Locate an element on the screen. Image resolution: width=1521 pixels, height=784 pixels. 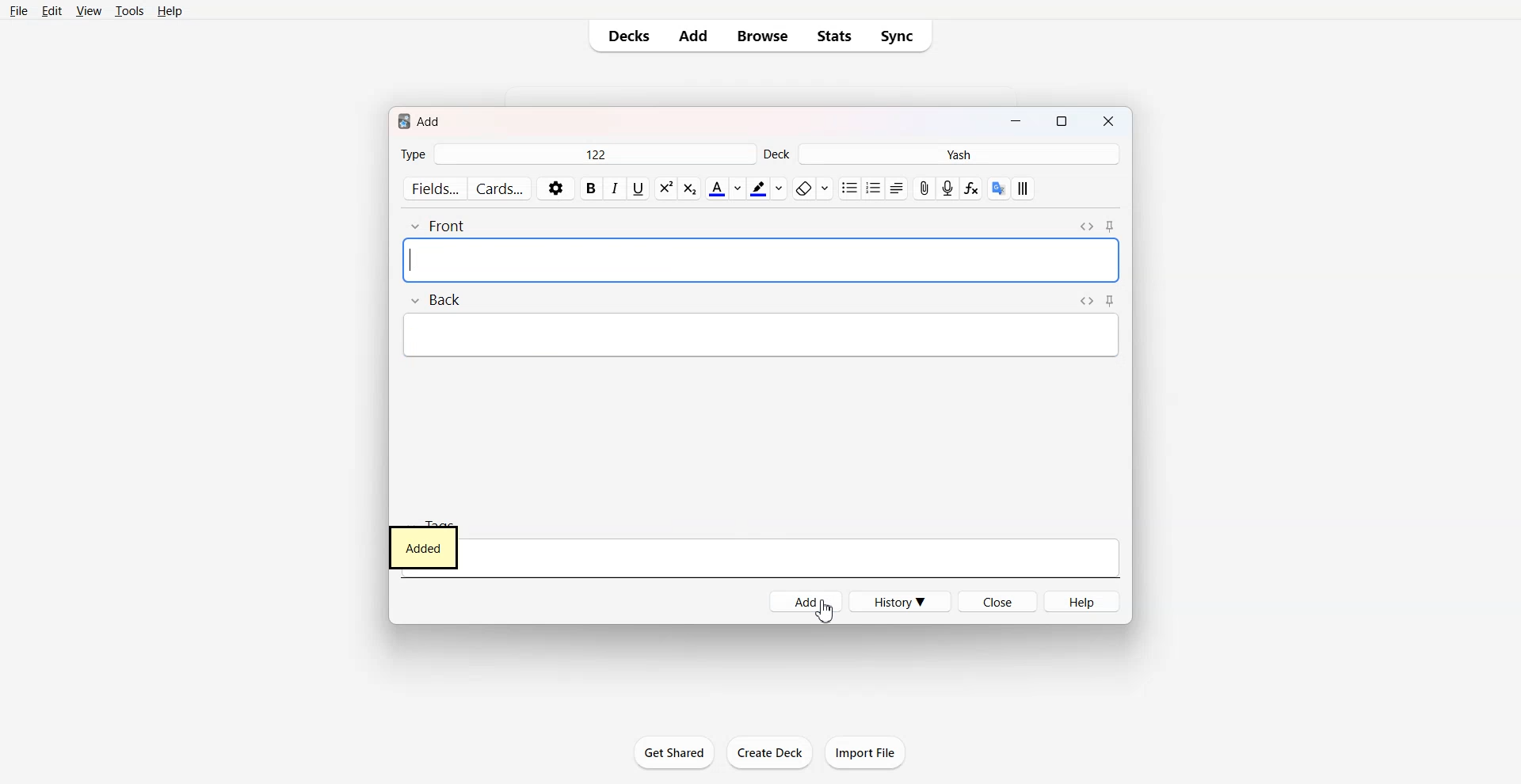
Text is located at coordinates (445, 335).